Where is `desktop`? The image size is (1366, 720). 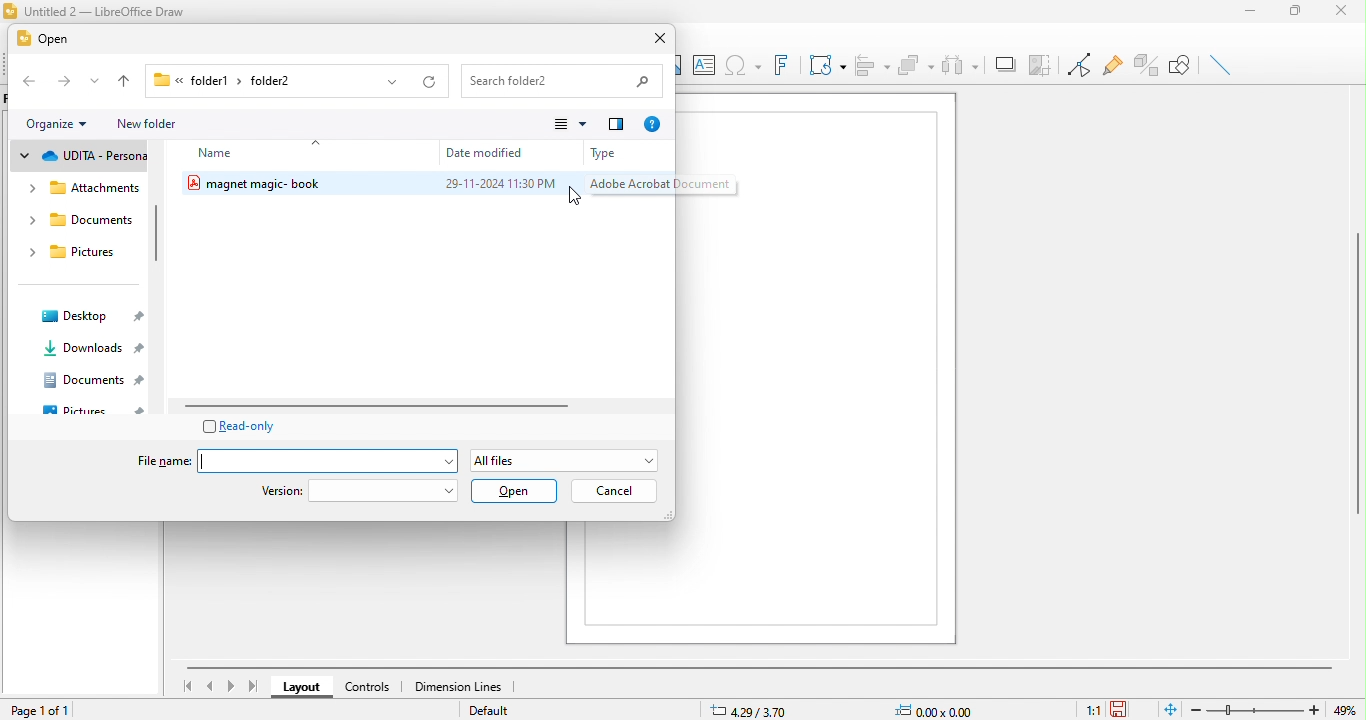
desktop is located at coordinates (92, 315).